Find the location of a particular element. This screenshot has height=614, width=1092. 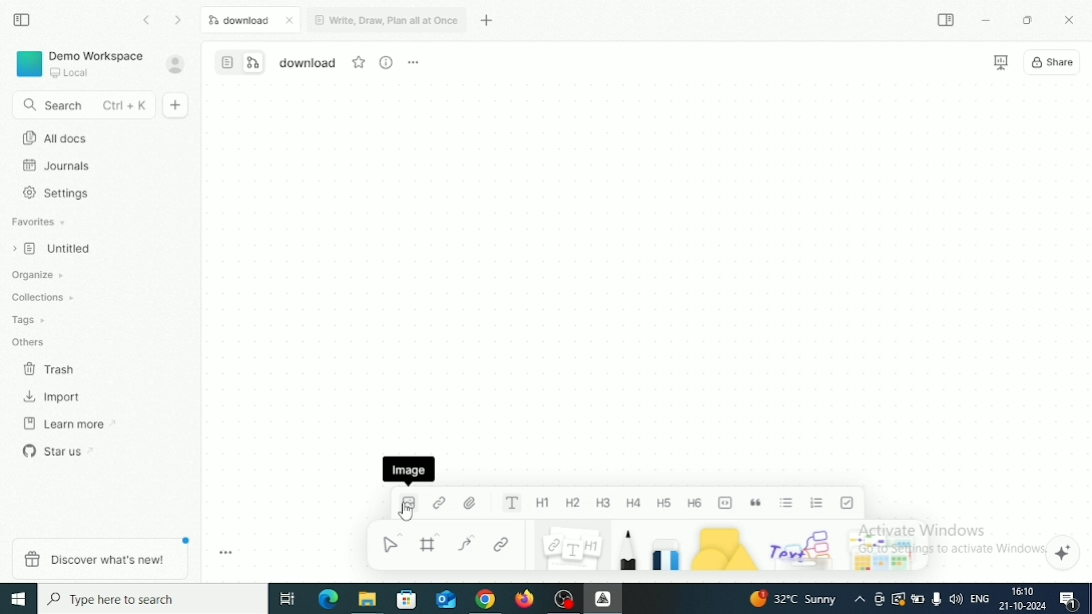

Affine AI is located at coordinates (1064, 552).